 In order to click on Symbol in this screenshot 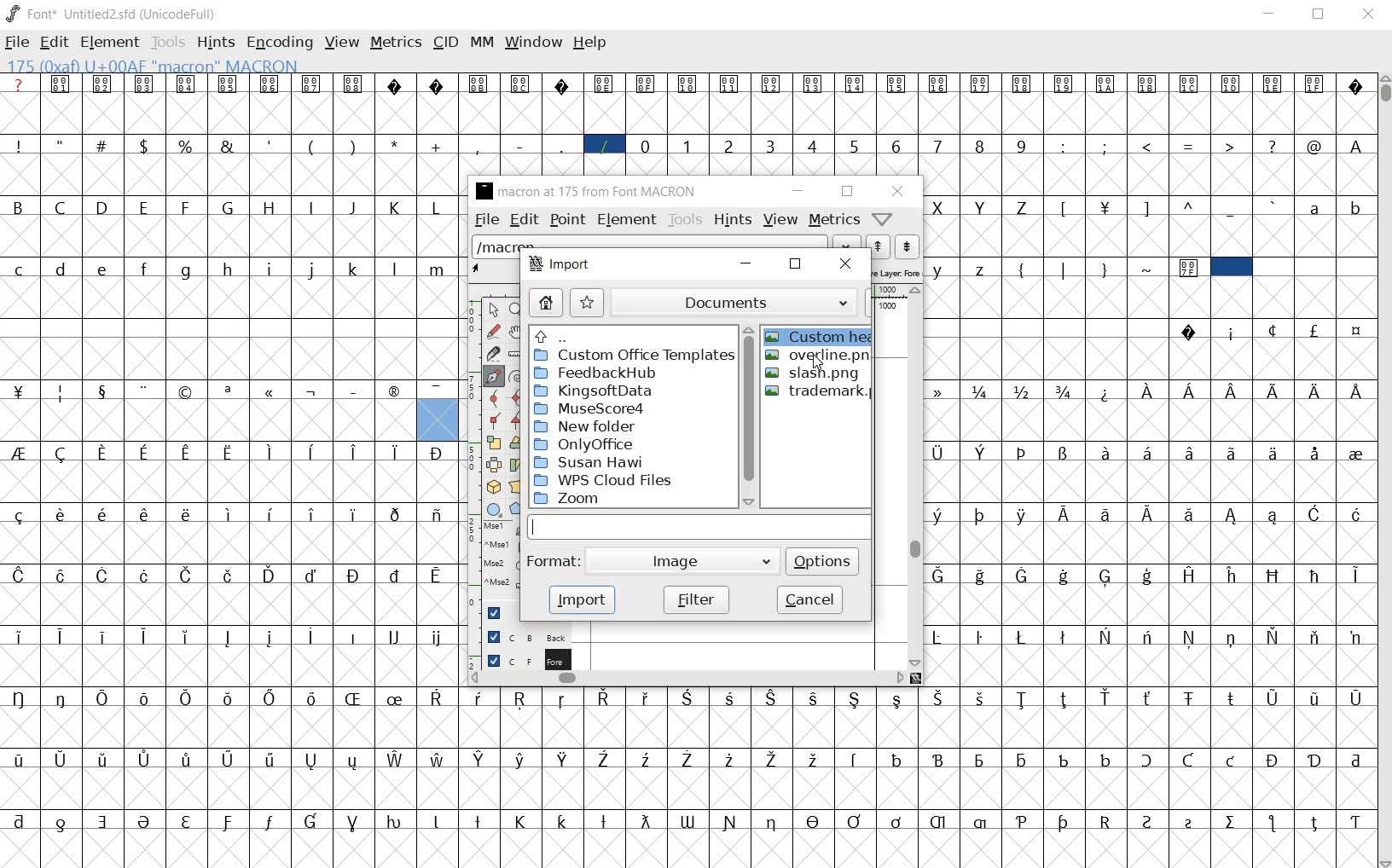, I will do `click(479, 83)`.